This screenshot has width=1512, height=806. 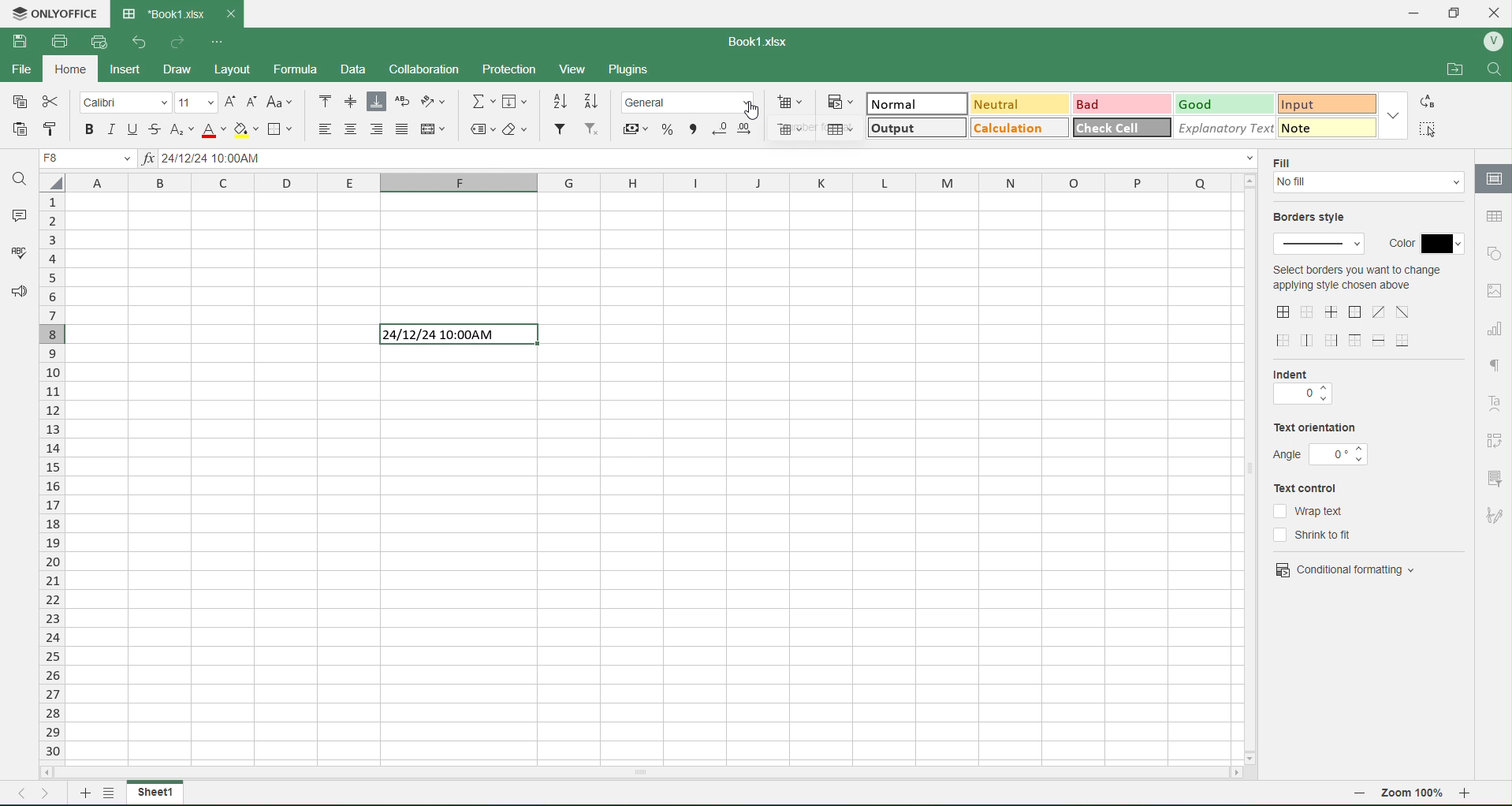 What do you see at coordinates (896, 130) in the screenshot?
I see `output` at bounding box center [896, 130].